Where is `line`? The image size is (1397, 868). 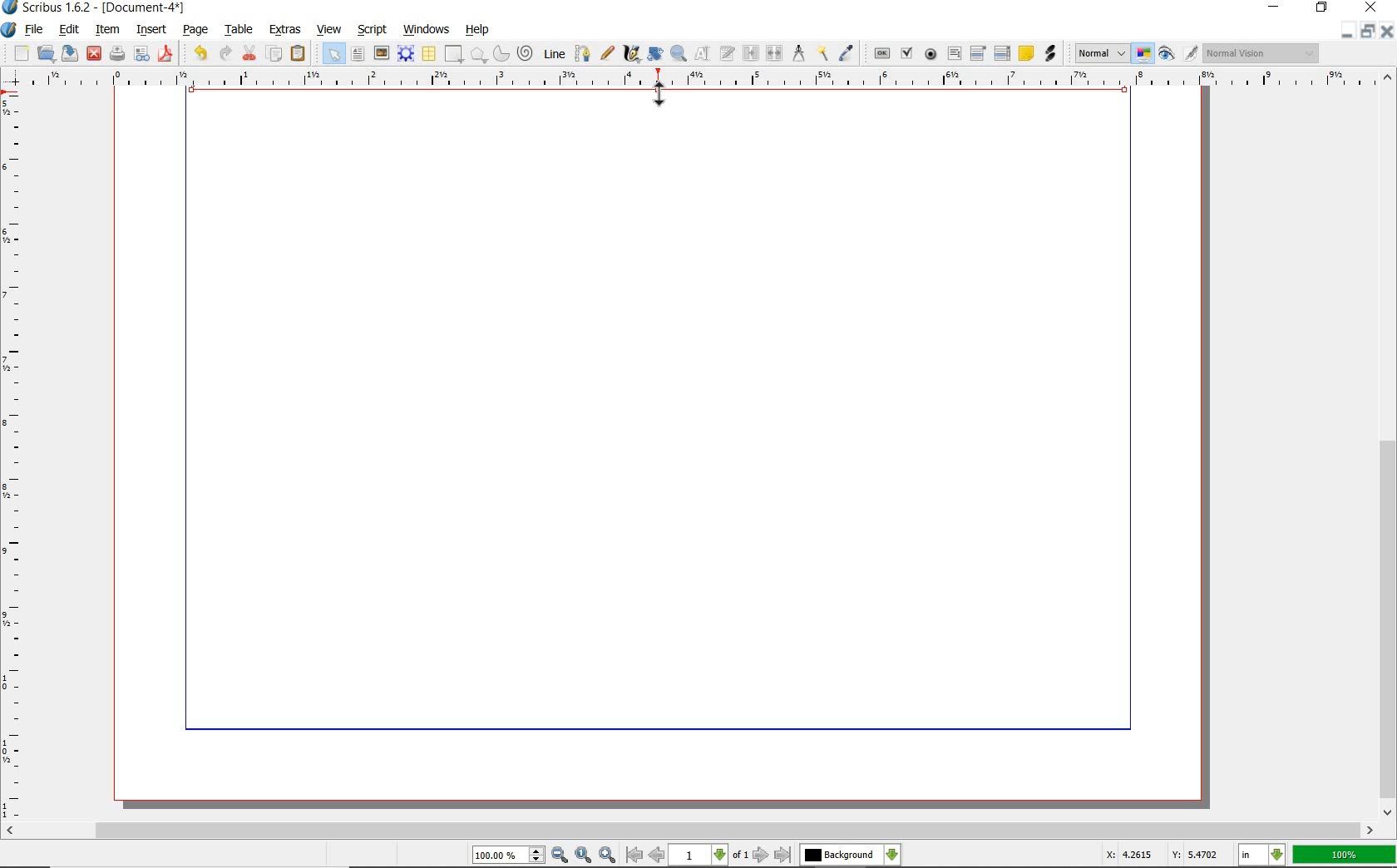 line is located at coordinates (554, 54).